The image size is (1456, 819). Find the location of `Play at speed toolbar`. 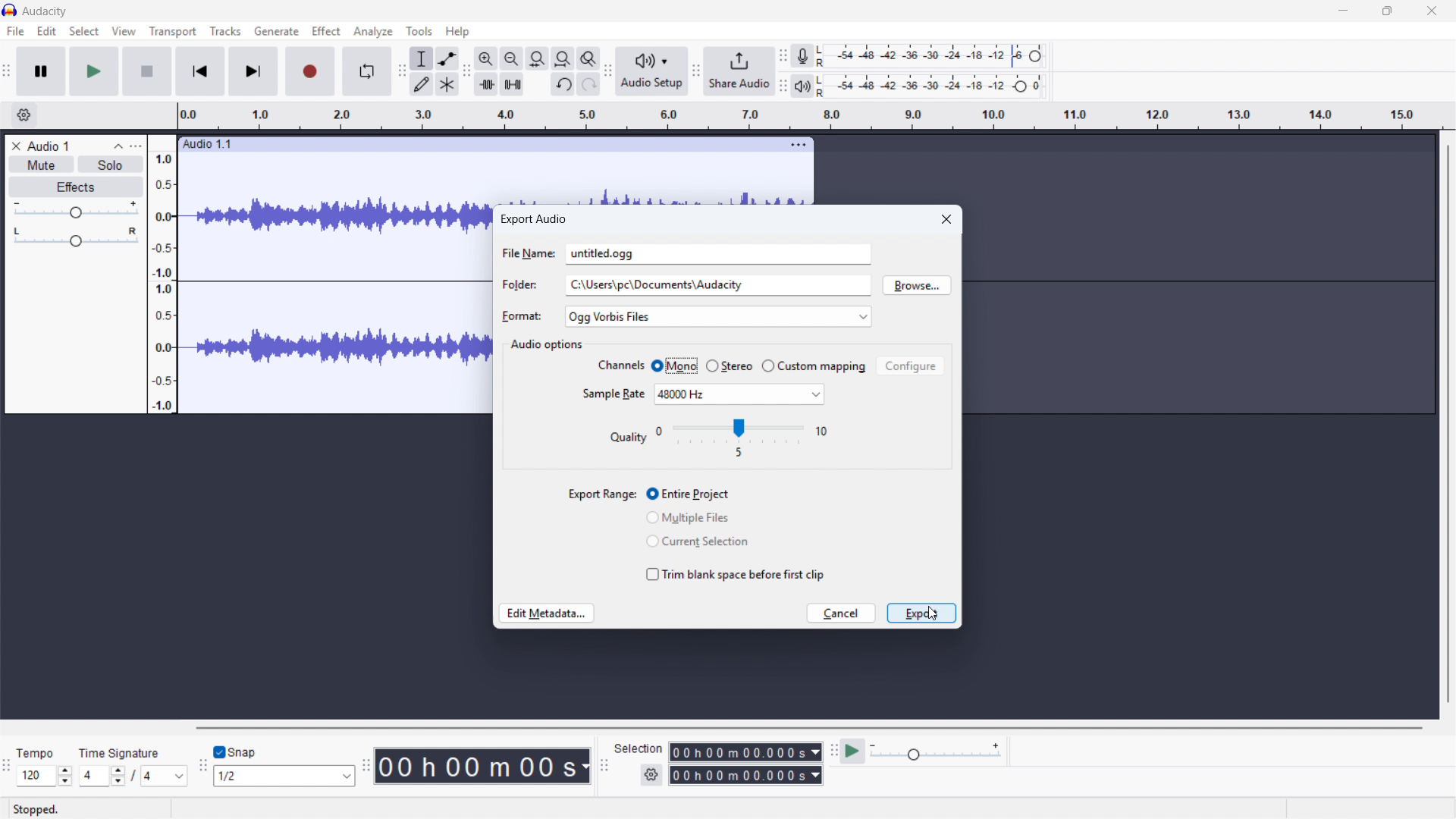

Play at speed toolbar is located at coordinates (833, 752).